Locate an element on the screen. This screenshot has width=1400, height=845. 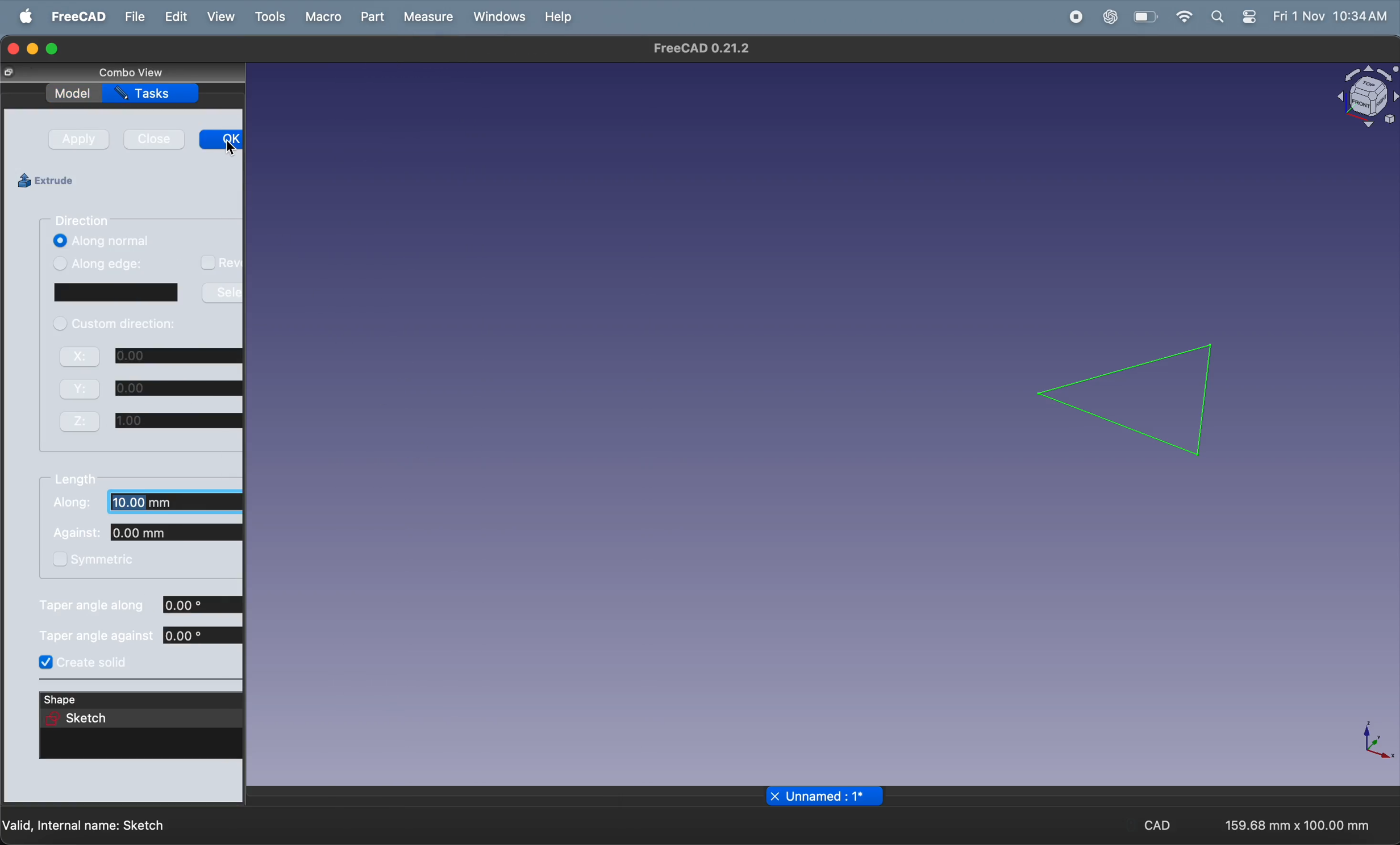
create solid is located at coordinates (103, 663).